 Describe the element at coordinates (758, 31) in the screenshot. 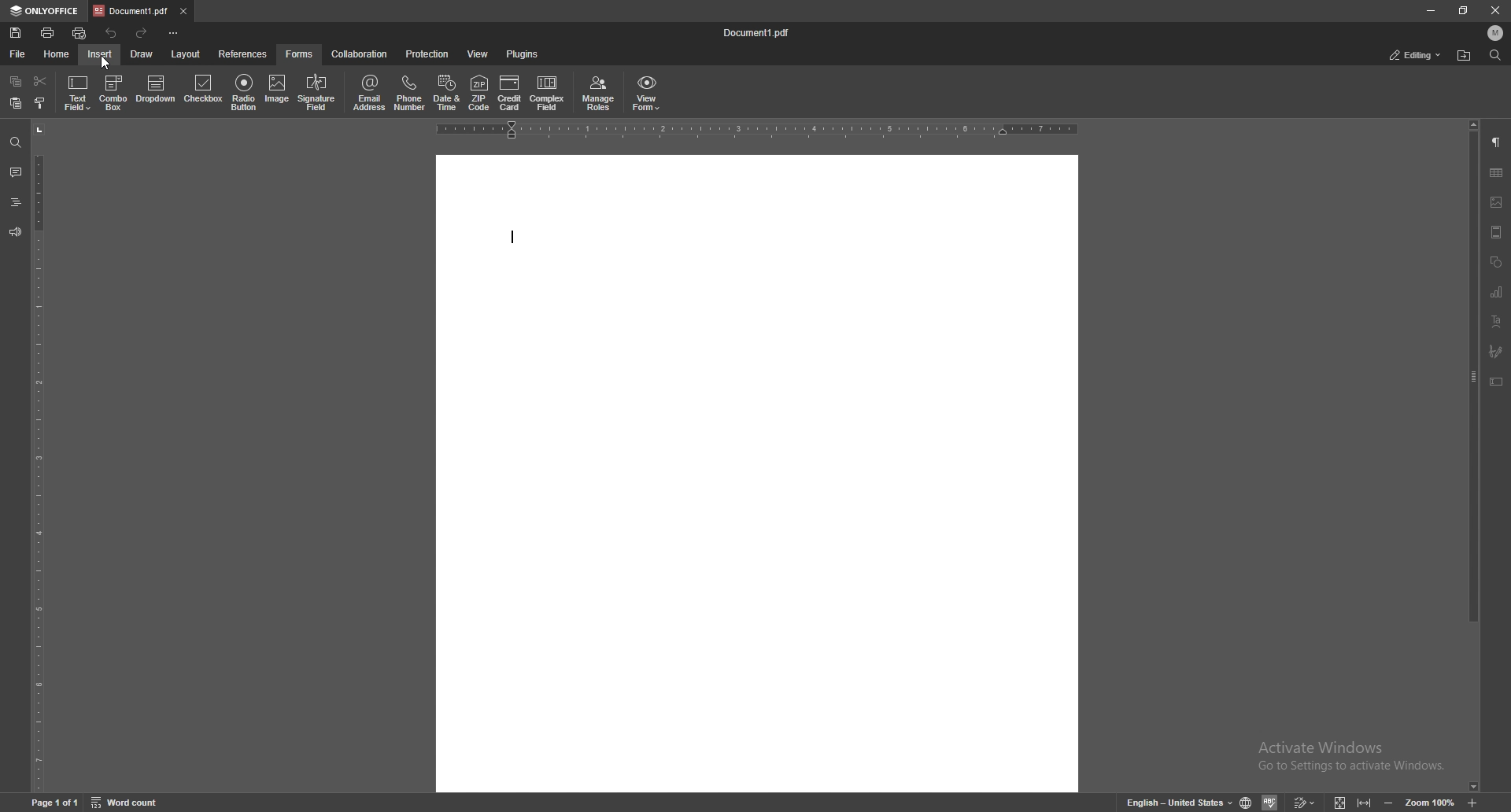

I see `file name` at that location.